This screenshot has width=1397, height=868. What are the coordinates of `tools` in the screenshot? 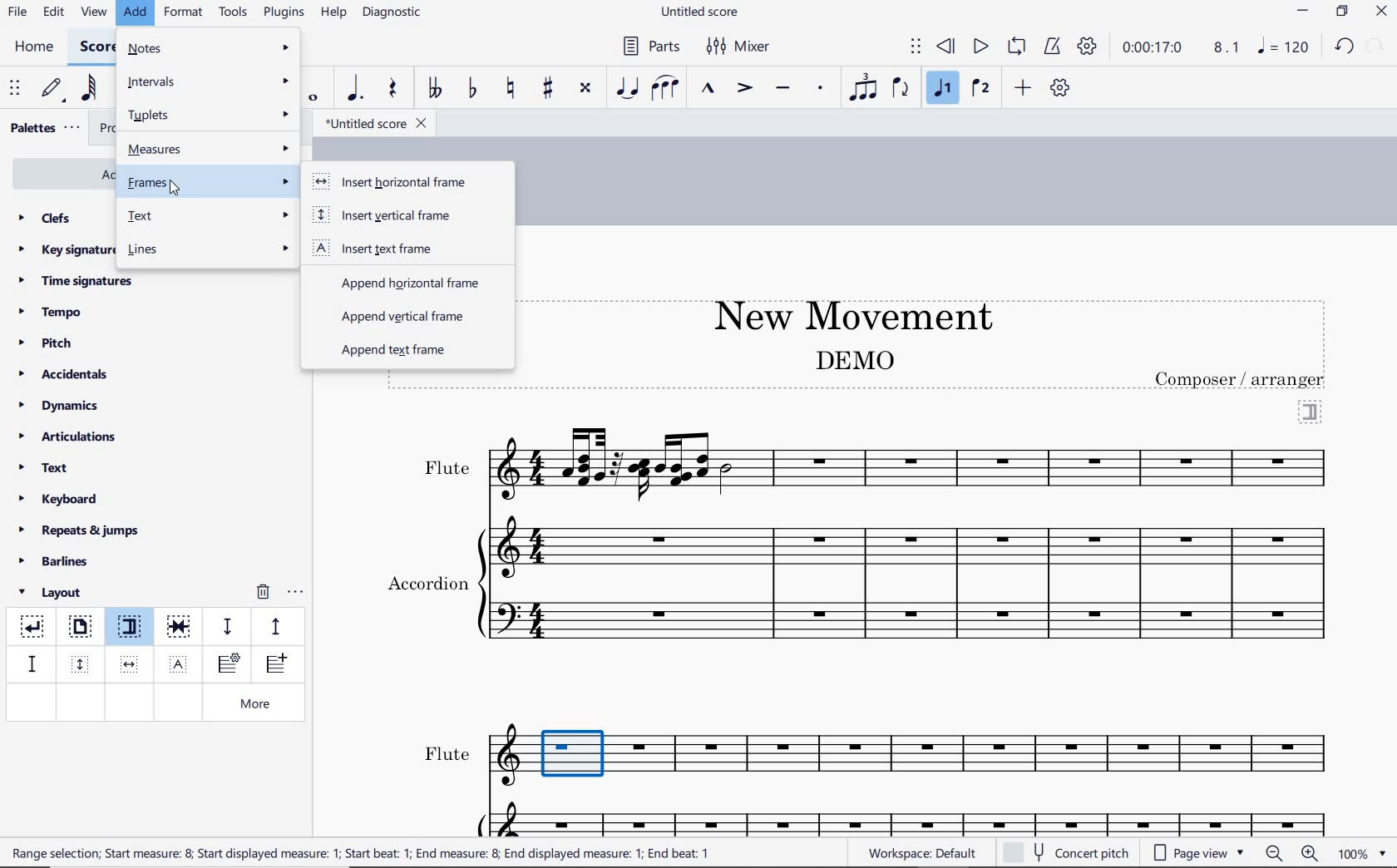 It's located at (234, 12).